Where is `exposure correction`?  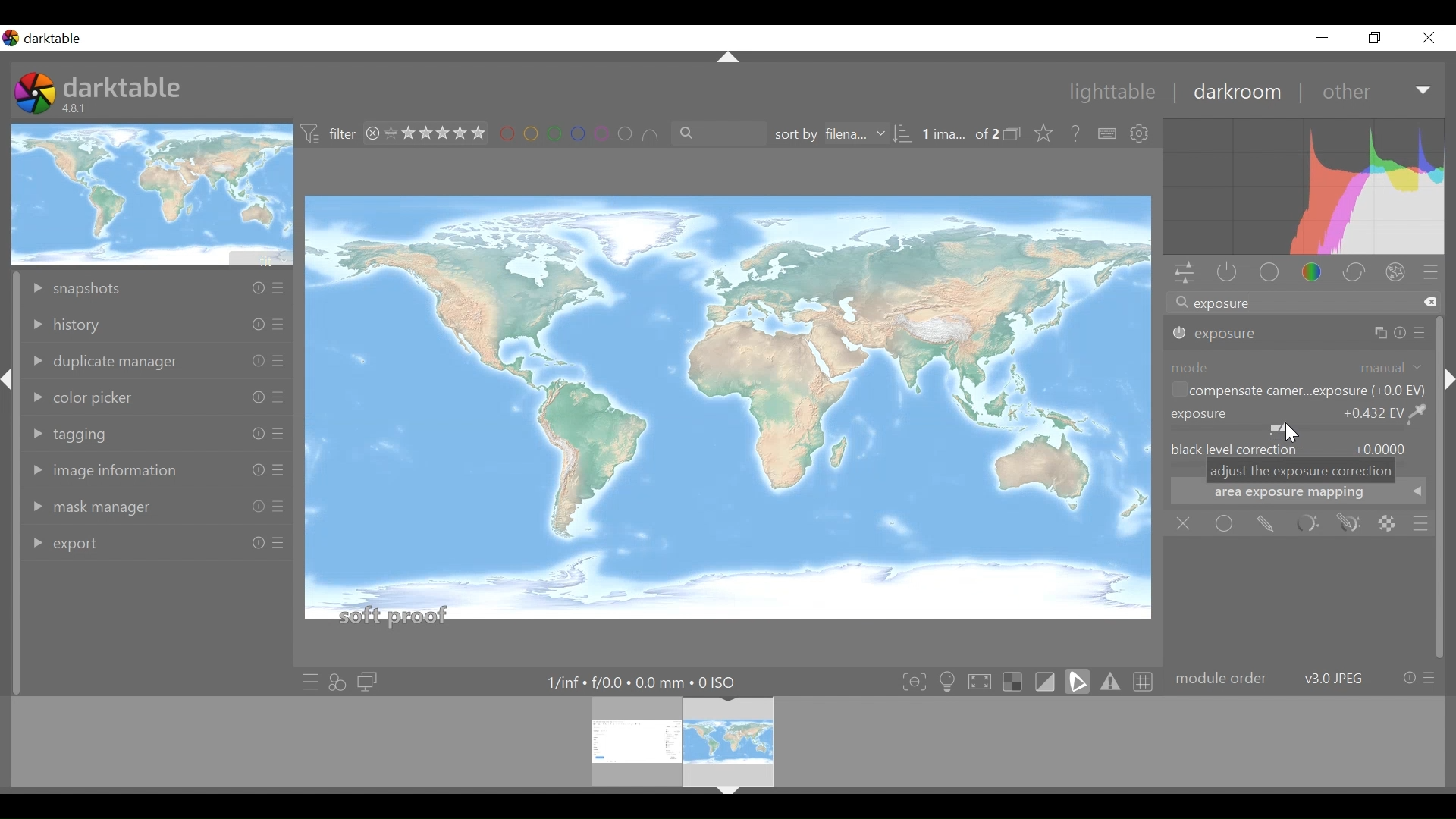 exposure correction is located at coordinates (1298, 419).